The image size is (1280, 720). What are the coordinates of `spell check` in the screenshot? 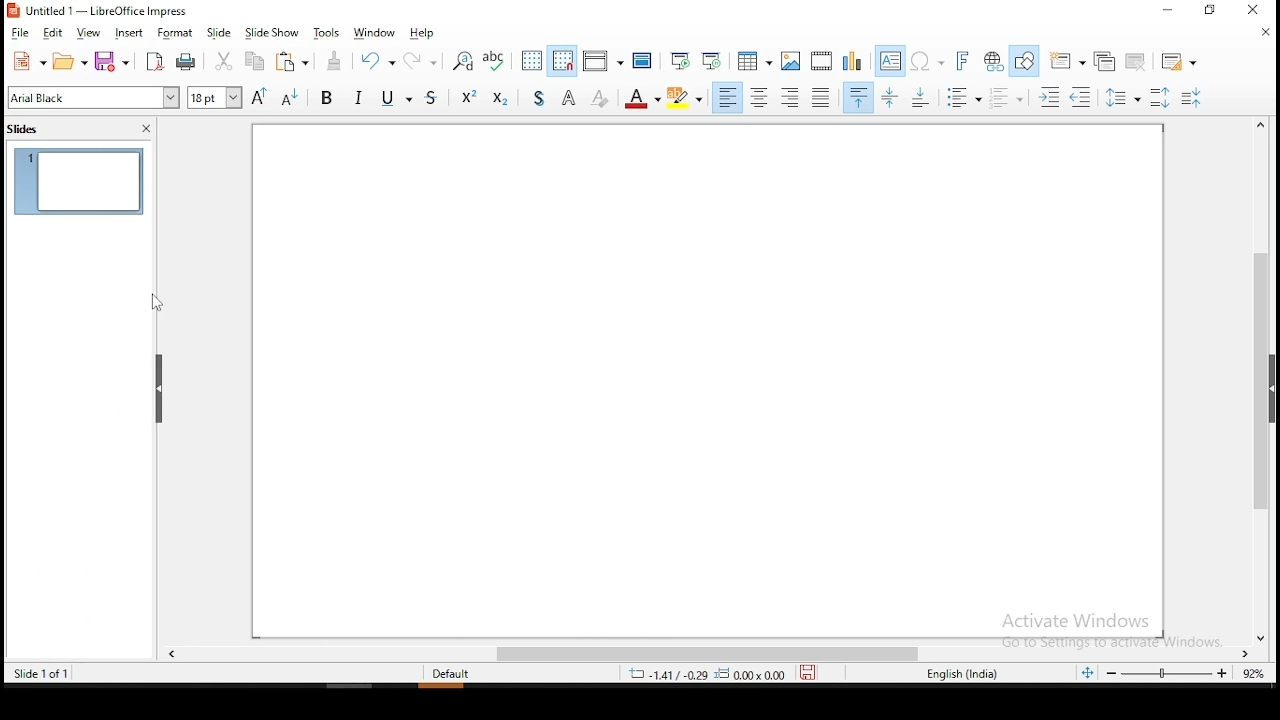 It's located at (496, 61).